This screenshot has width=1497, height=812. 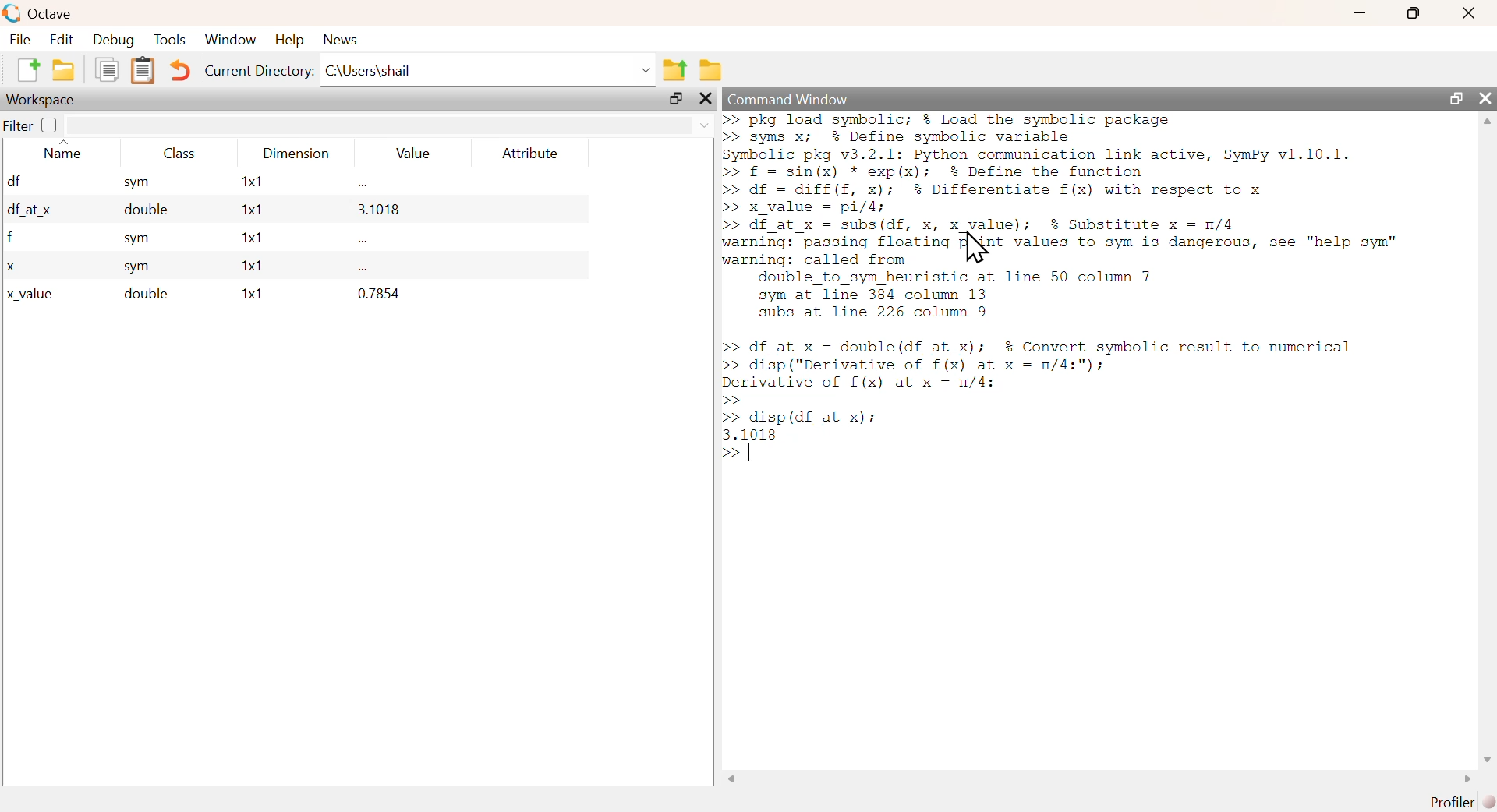 I want to click on open an existing file in editor, so click(x=65, y=69).